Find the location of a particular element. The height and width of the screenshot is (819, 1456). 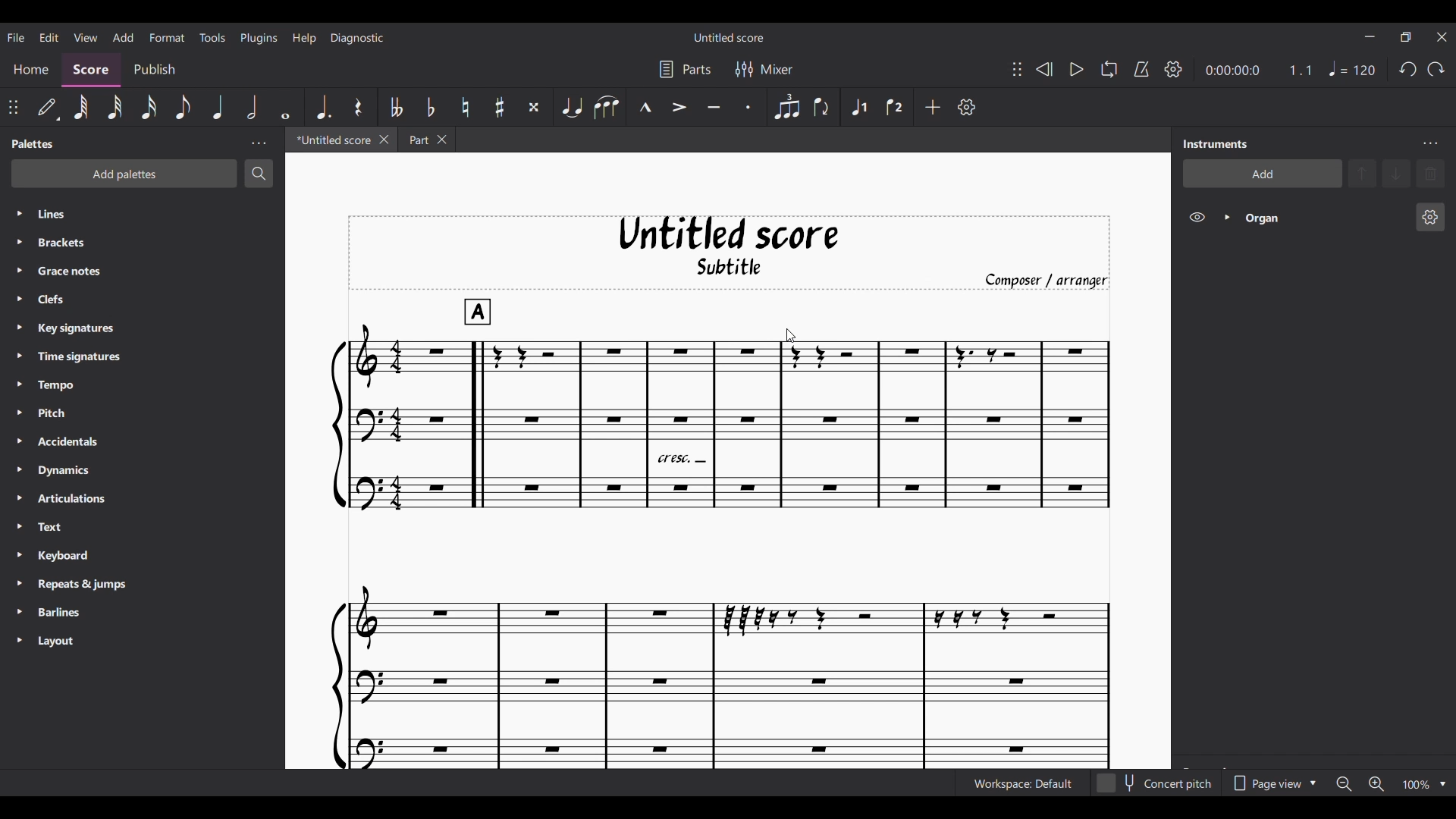

File menu is located at coordinates (15, 36).